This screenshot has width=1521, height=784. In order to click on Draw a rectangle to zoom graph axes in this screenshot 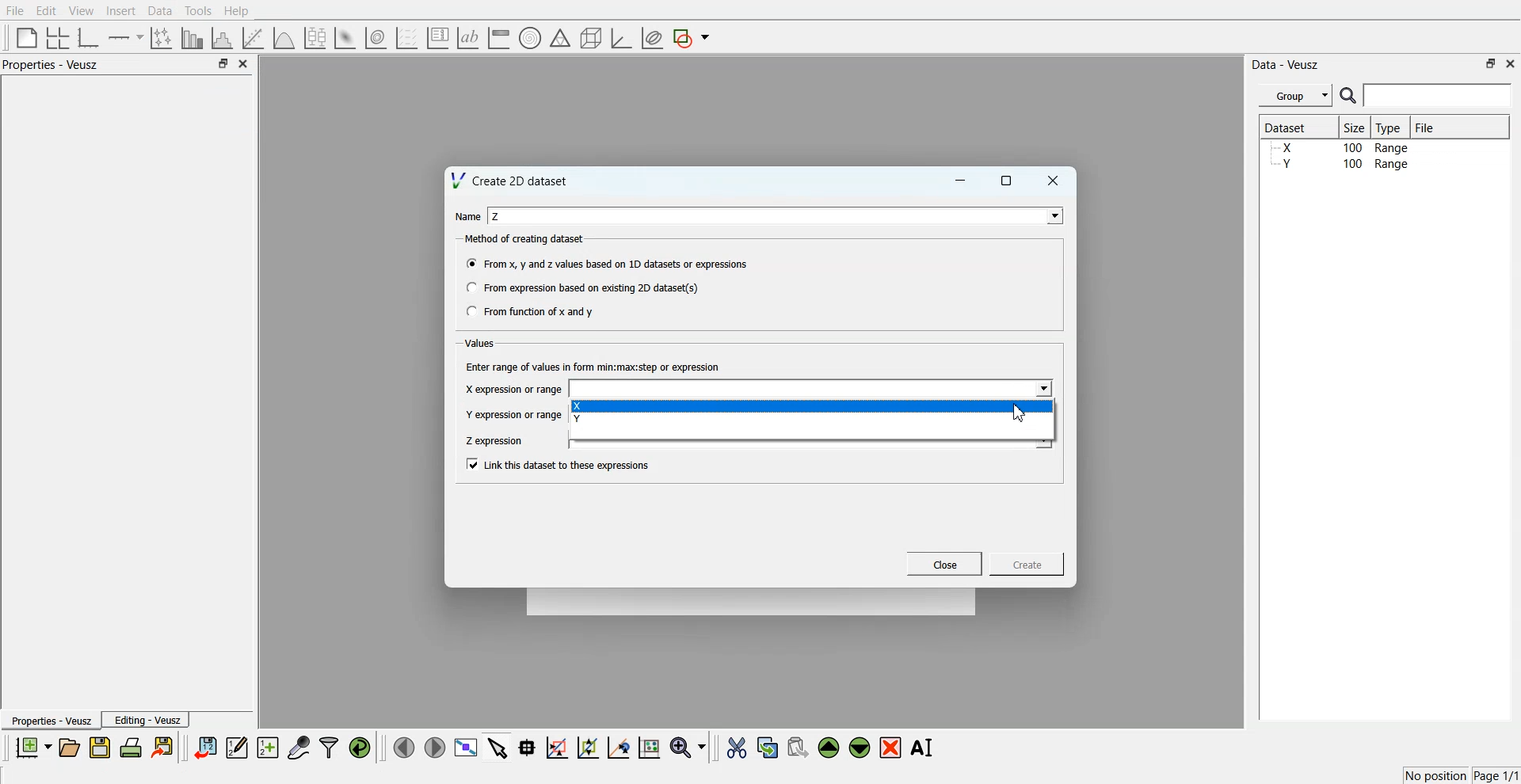, I will do `click(556, 748)`.